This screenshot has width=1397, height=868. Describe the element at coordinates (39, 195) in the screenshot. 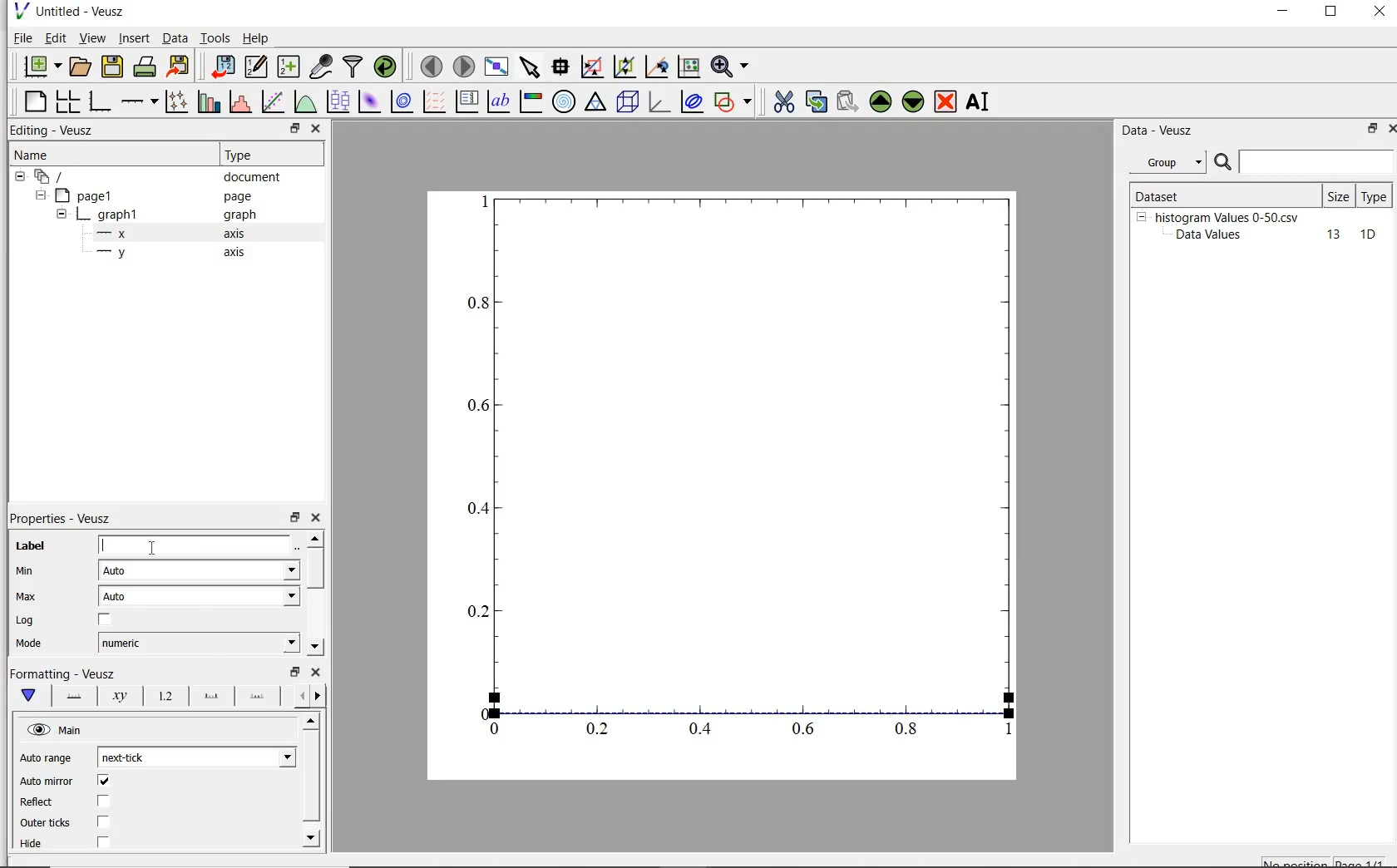

I see `hide` at that location.